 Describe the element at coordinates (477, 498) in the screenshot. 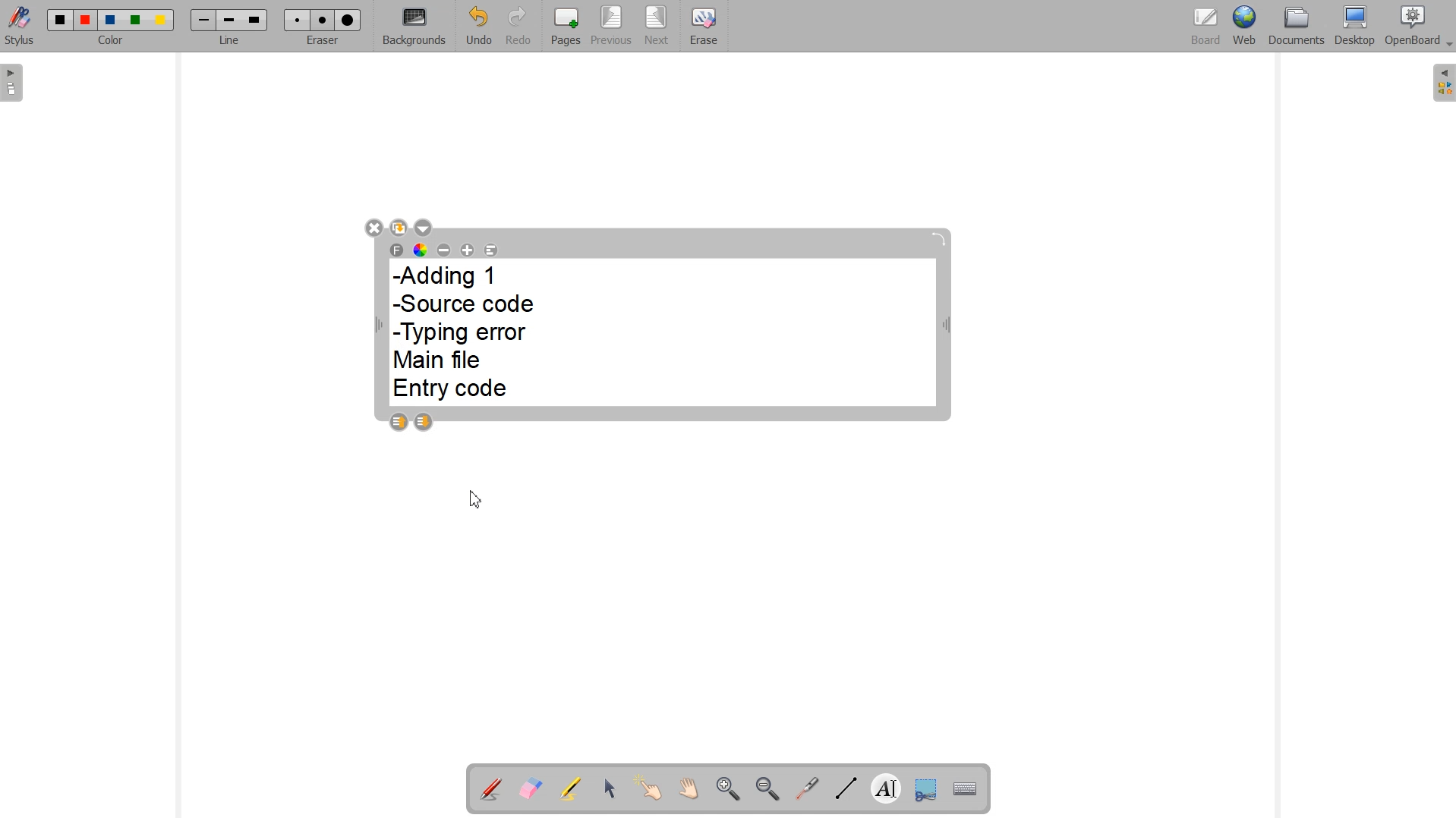

I see `Cursor` at that location.